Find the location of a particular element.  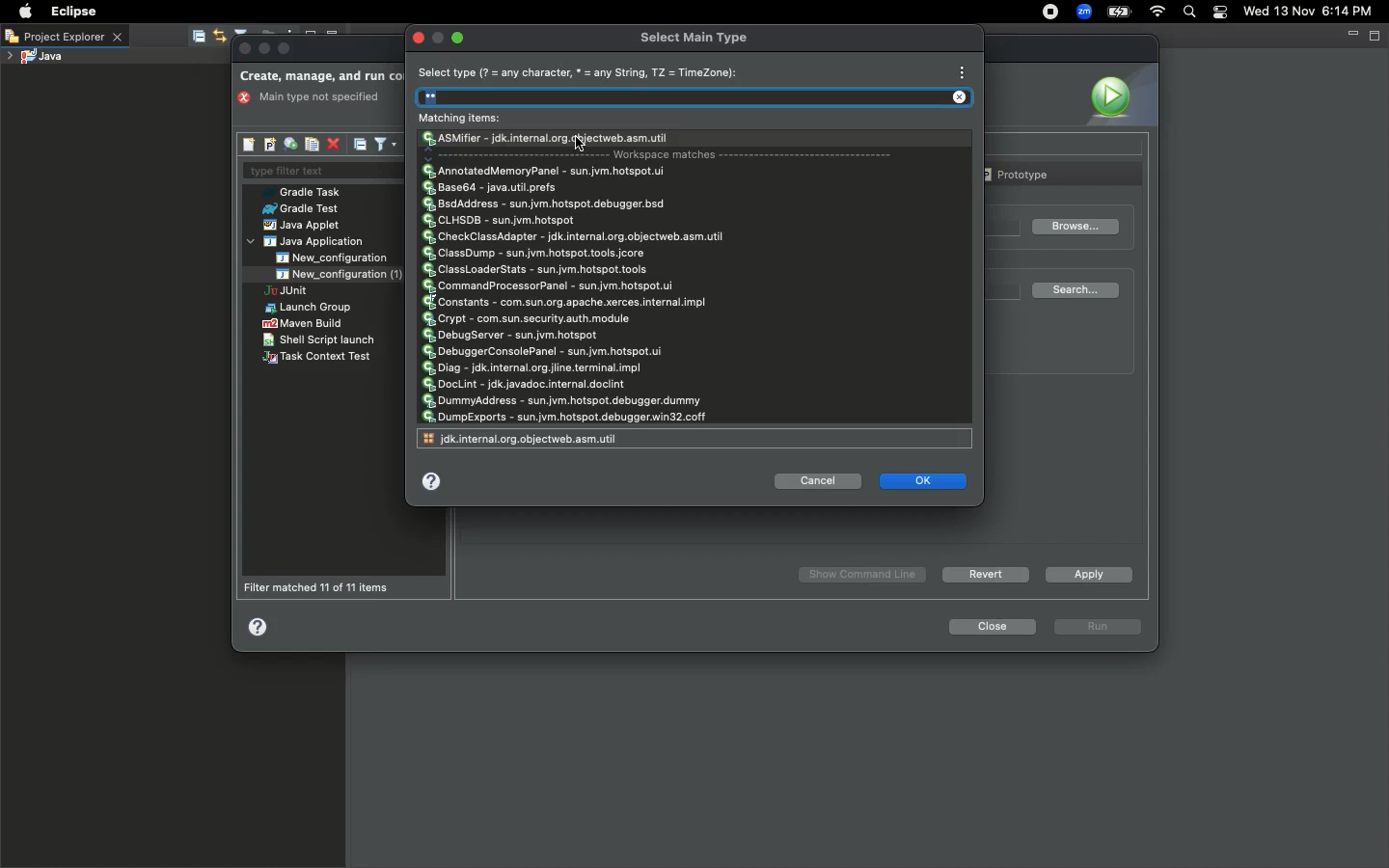

Search is located at coordinates (700, 98).